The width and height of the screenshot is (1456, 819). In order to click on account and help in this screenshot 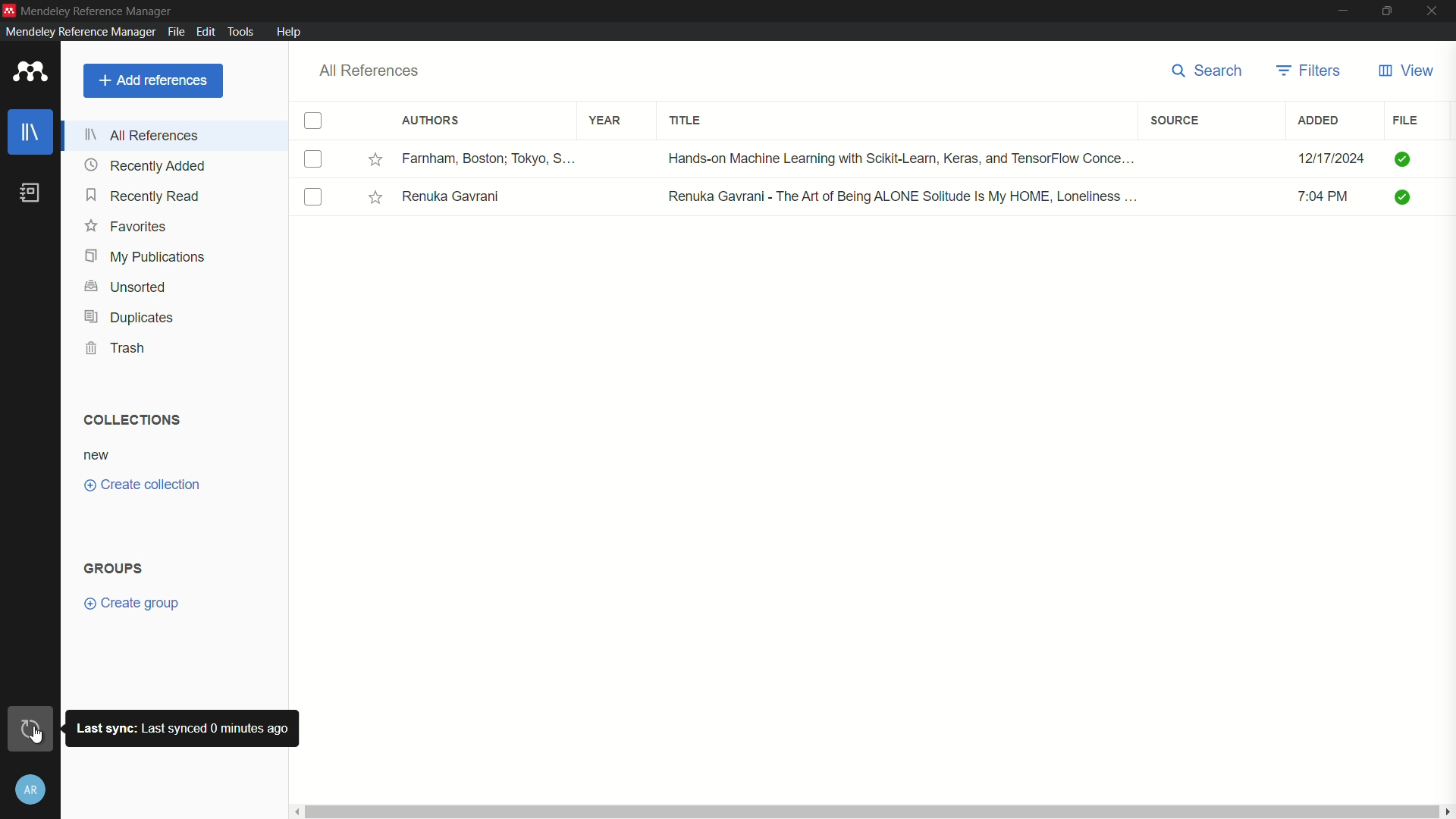, I will do `click(33, 789)`.